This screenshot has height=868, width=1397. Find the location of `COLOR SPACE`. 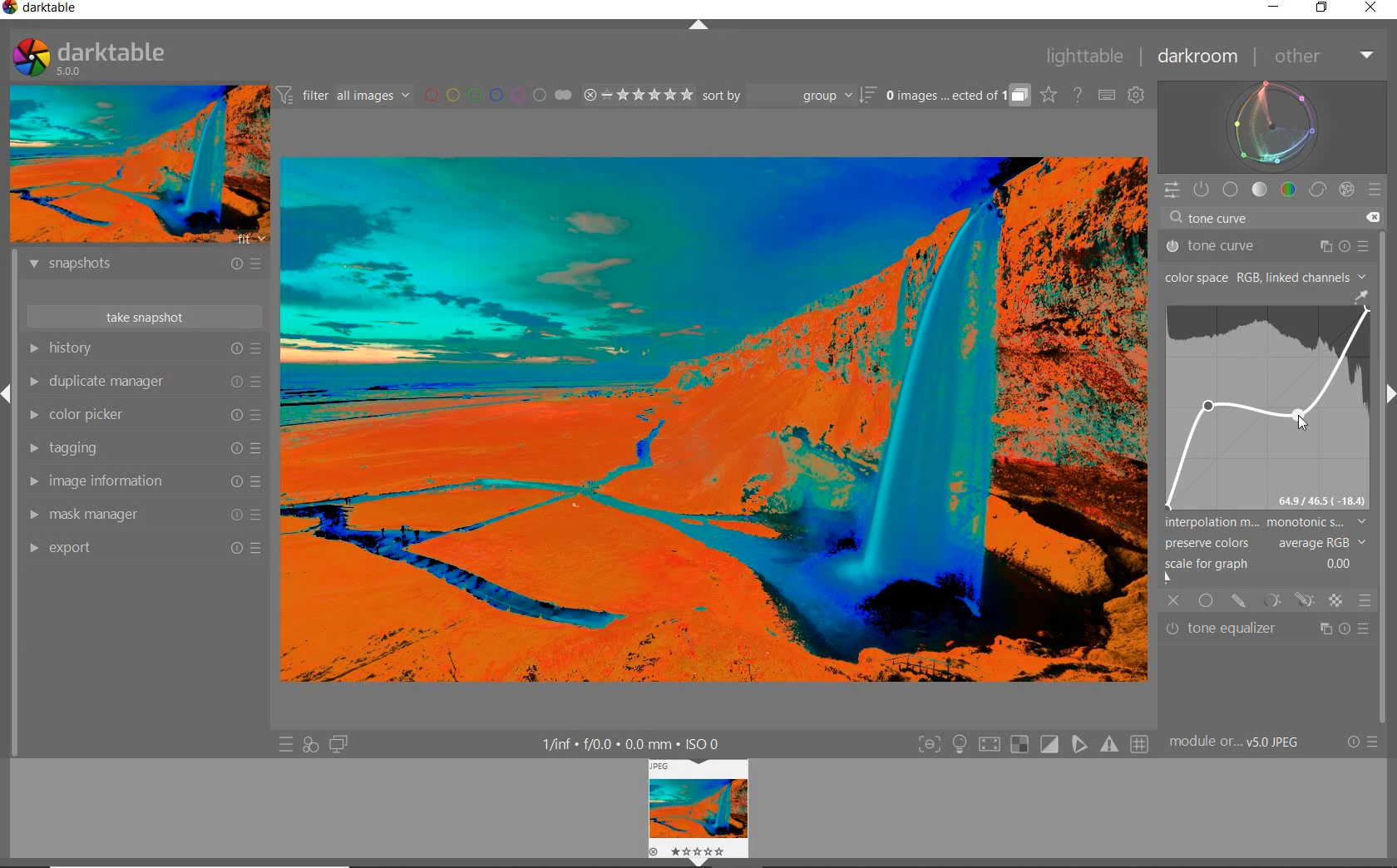

COLOR SPACE is located at coordinates (1266, 276).